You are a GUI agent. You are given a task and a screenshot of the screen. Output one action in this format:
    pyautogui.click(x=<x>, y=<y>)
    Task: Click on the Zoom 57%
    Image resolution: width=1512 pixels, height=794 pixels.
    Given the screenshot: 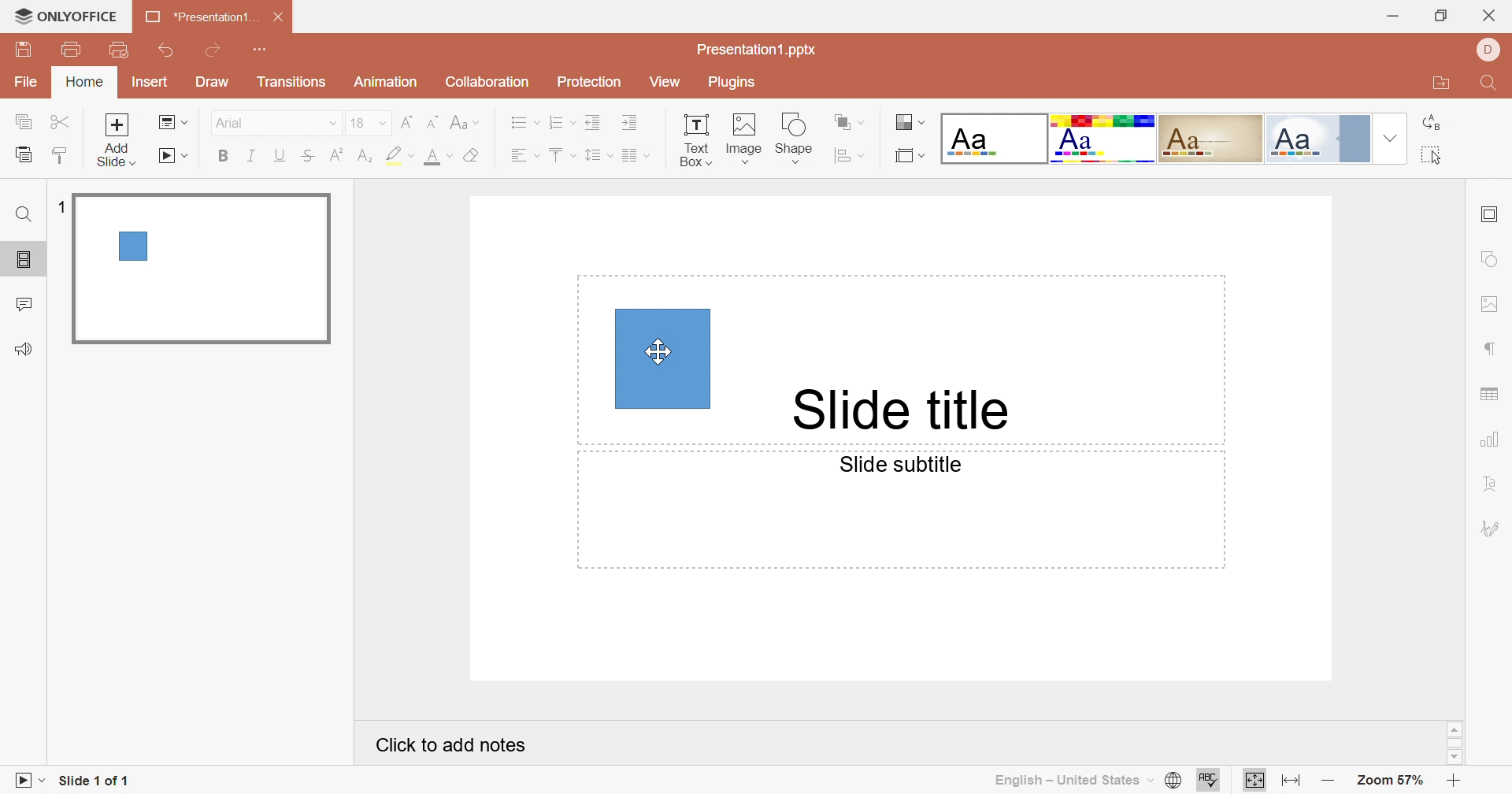 What is the action you would take?
    pyautogui.click(x=1392, y=781)
    